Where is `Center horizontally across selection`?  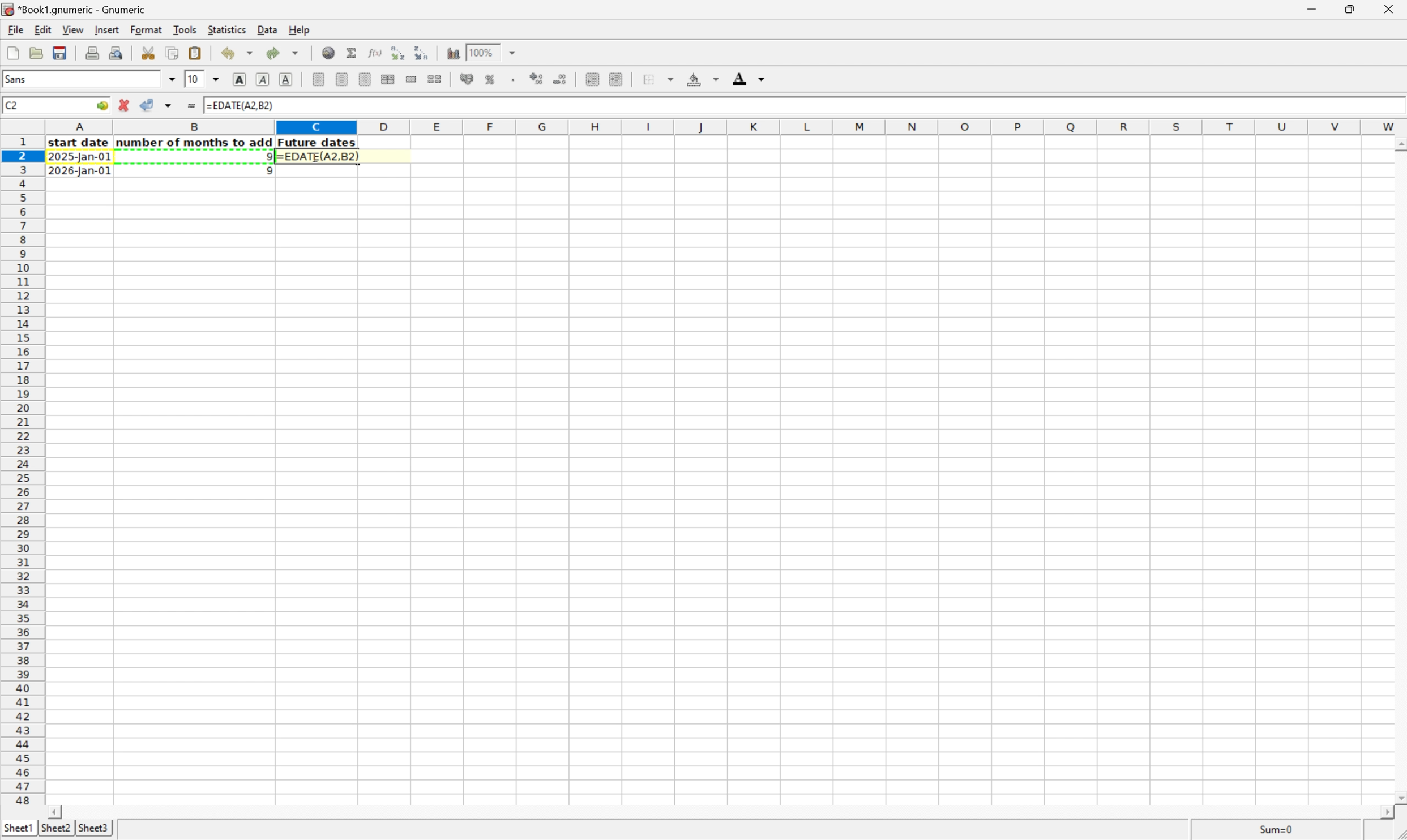
Center horizontally across selection is located at coordinates (389, 80).